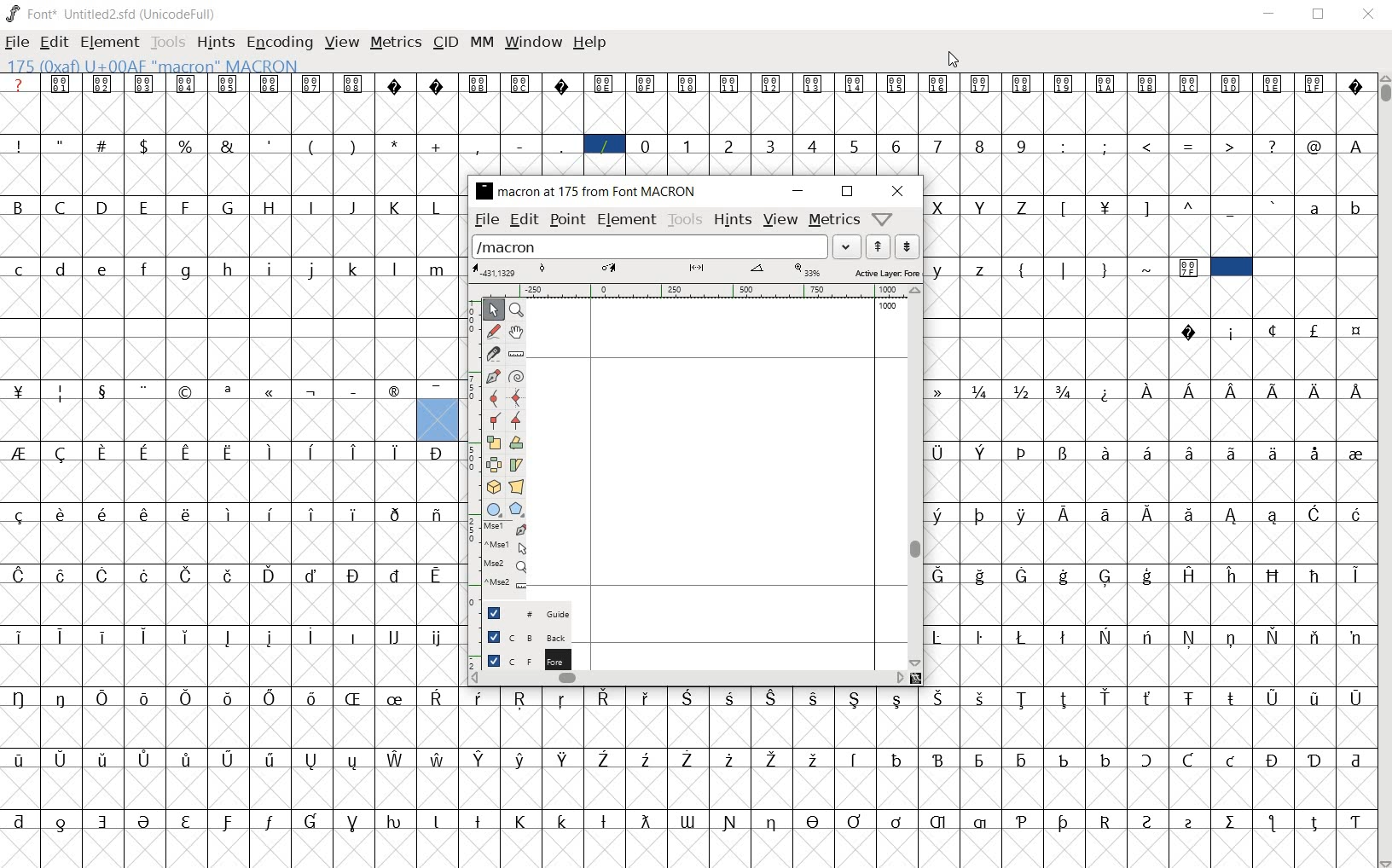 This screenshot has height=868, width=1392. Describe the element at coordinates (981, 205) in the screenshot. I see `Y` at that location.